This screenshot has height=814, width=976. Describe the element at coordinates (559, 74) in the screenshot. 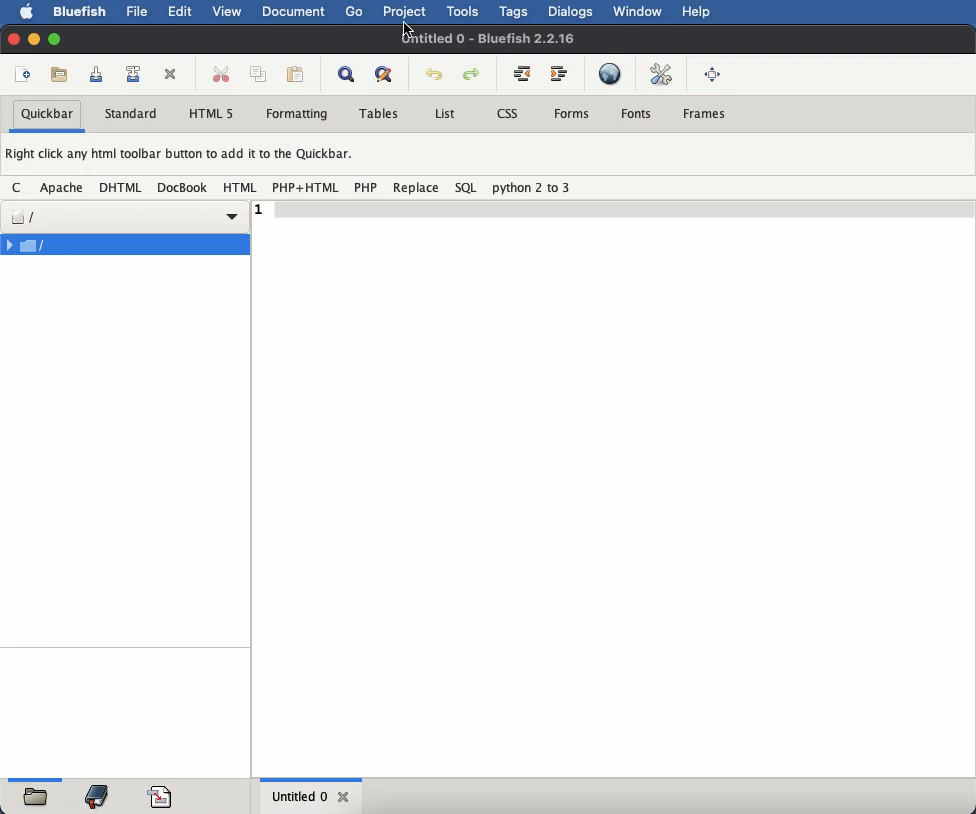

I see `indent` at that location.